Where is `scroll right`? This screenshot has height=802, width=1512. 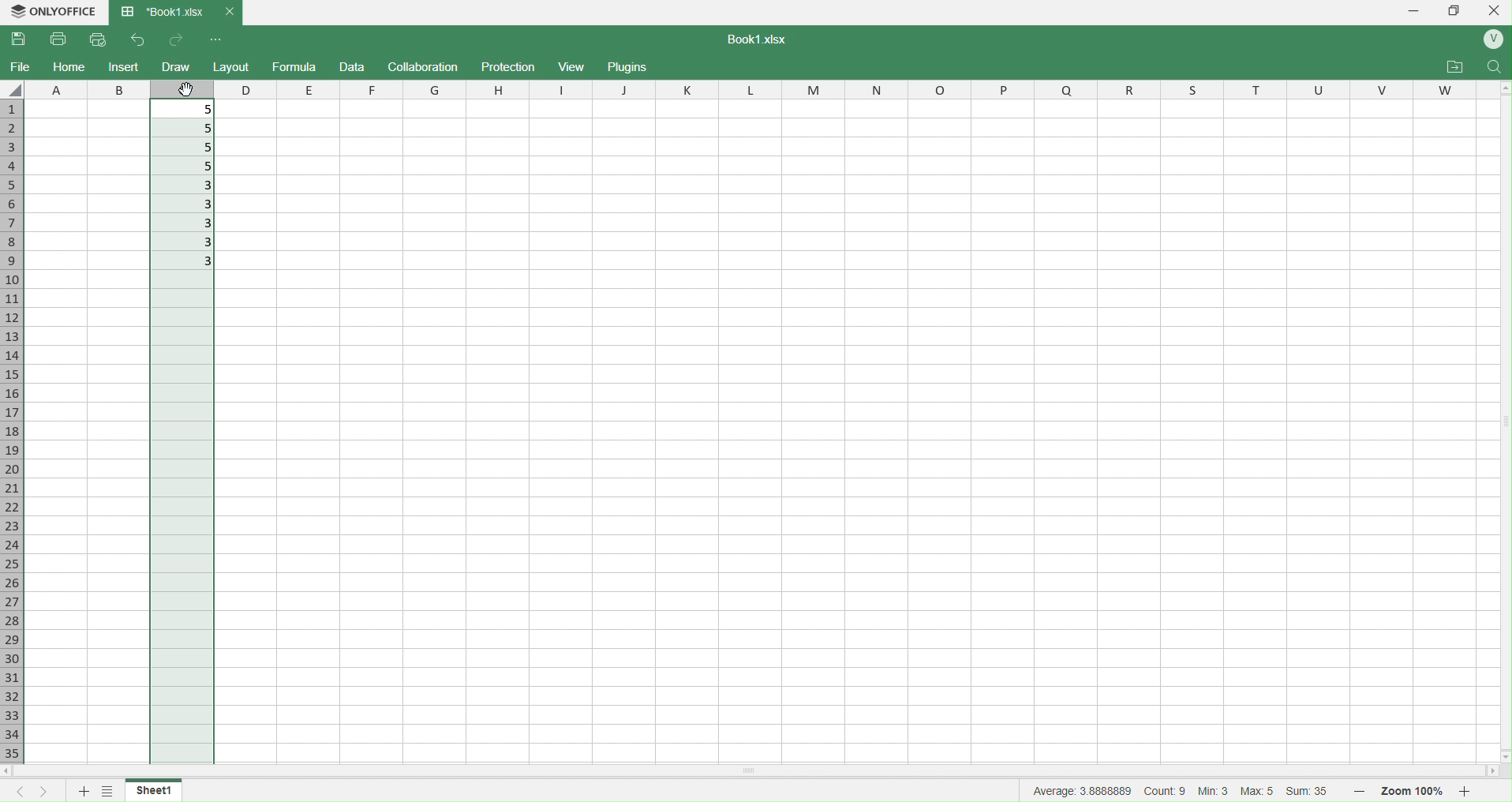
scroll right is located at coordinates (1501, 770).